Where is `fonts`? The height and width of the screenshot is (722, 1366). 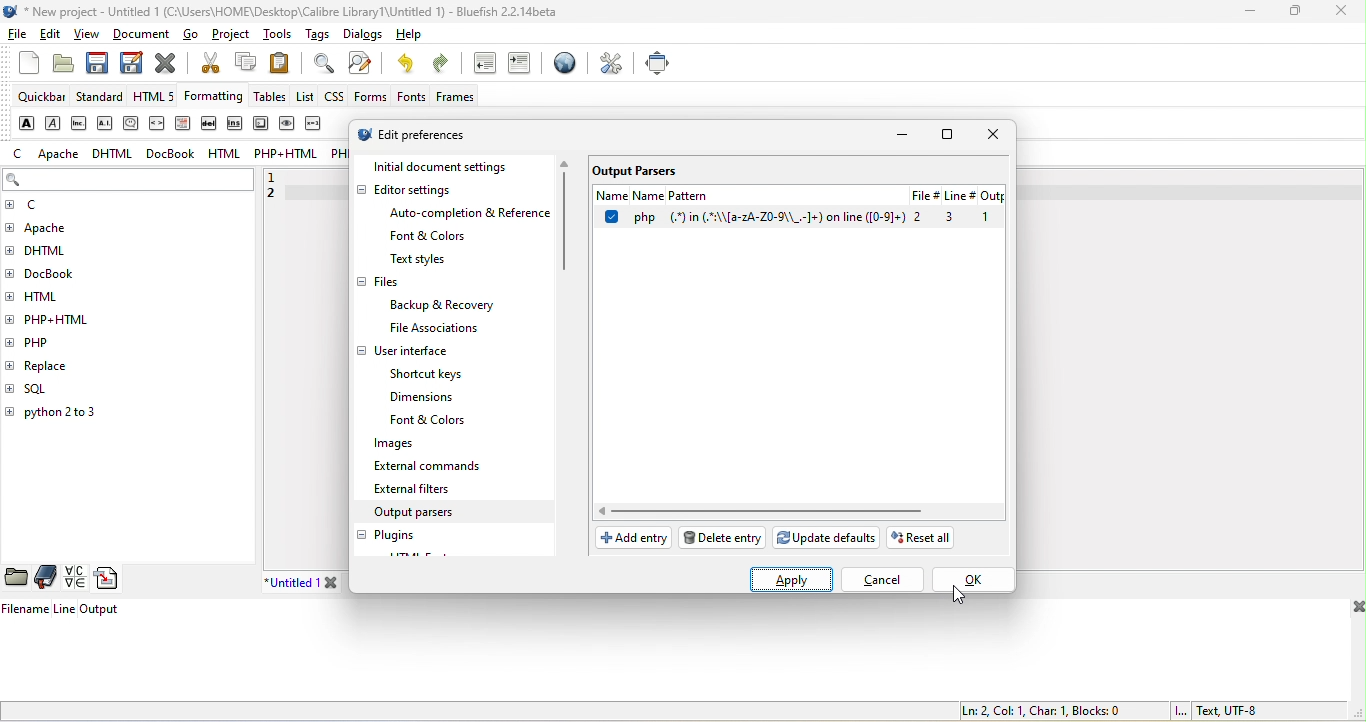 fonts is located at coordinates (408, 97).